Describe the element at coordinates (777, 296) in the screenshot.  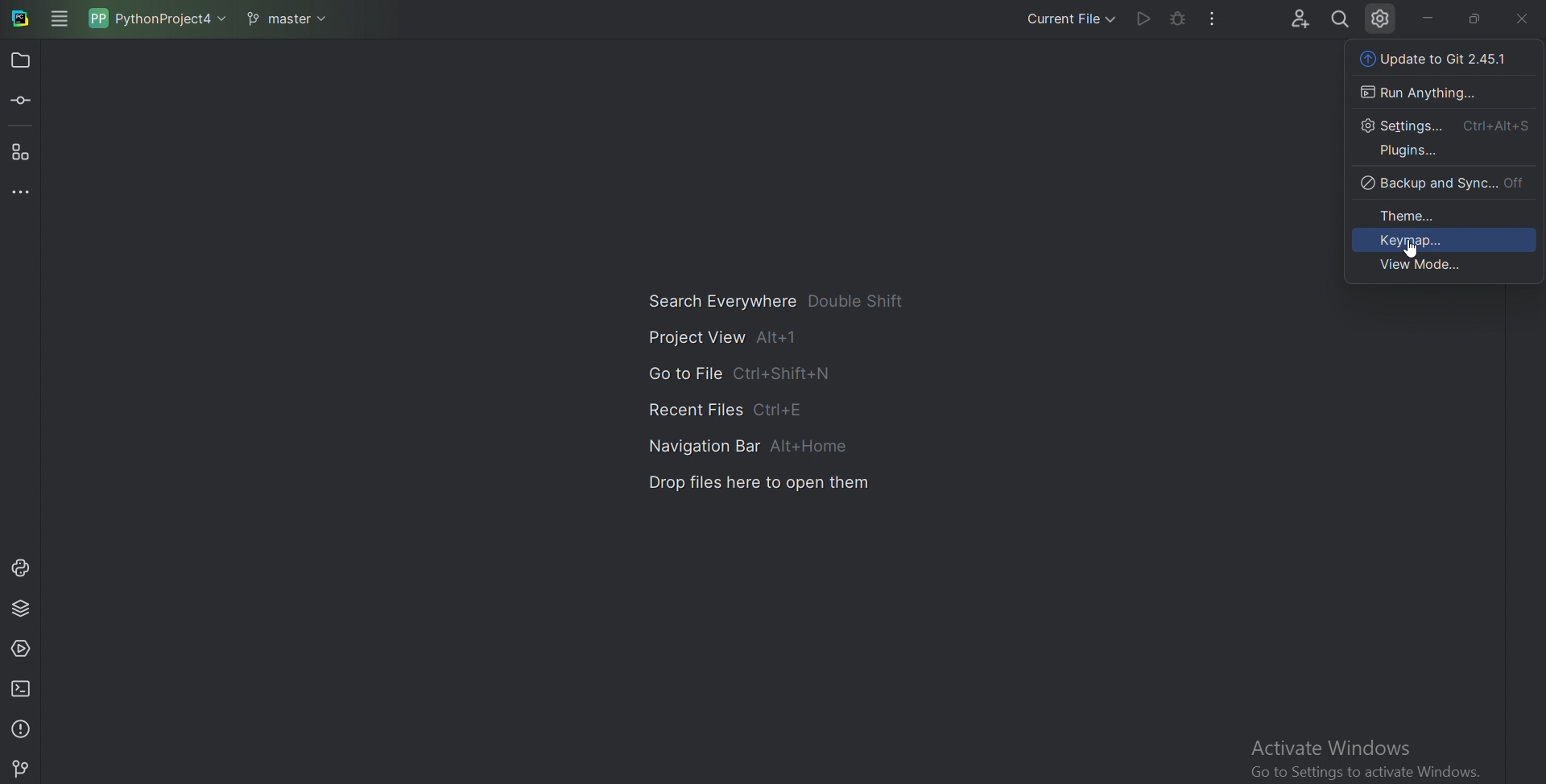
I see `Search Everywhere double shift` at that location.